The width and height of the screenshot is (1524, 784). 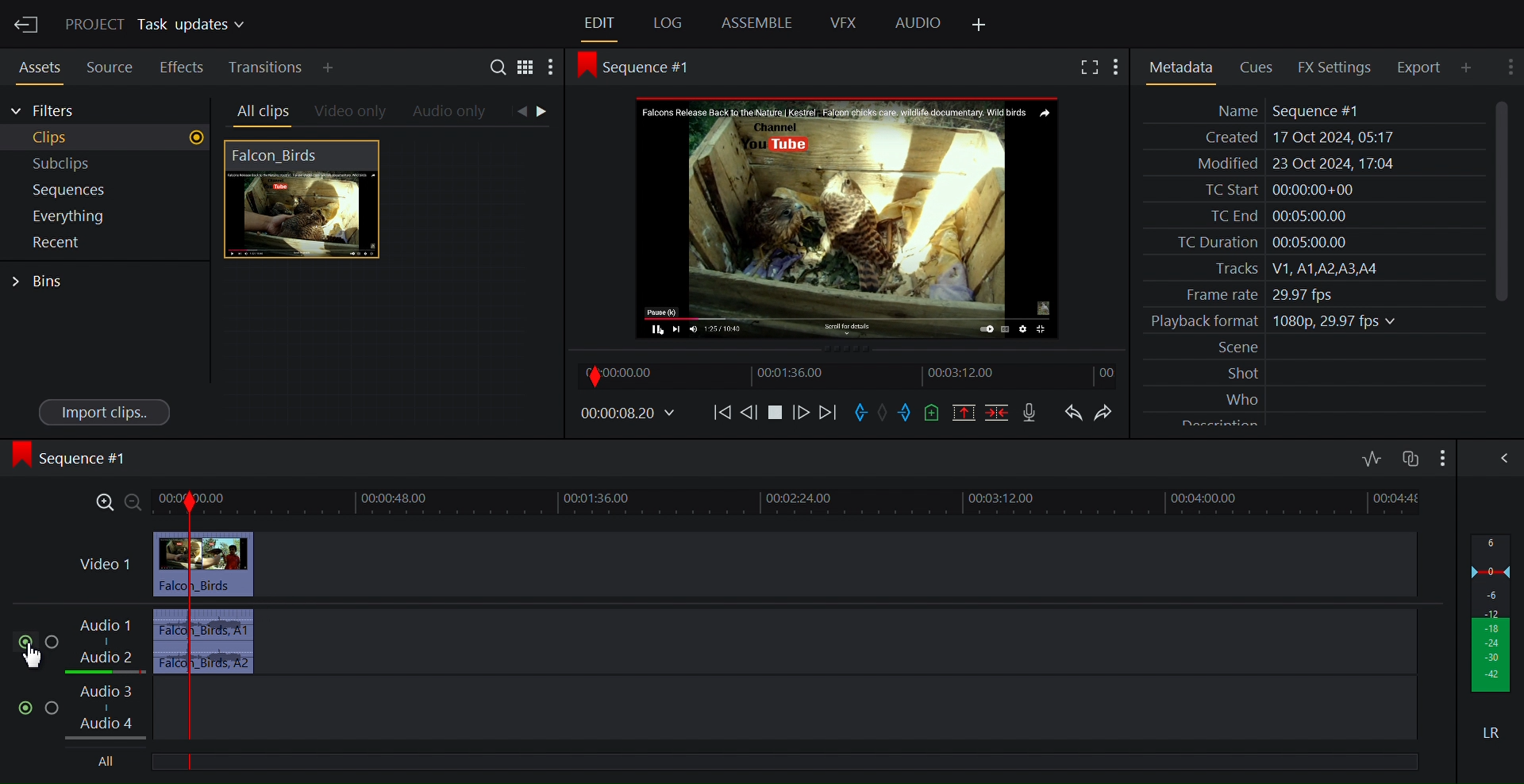 I want to click on Metadata Panel, so click(x=1180, y=67).